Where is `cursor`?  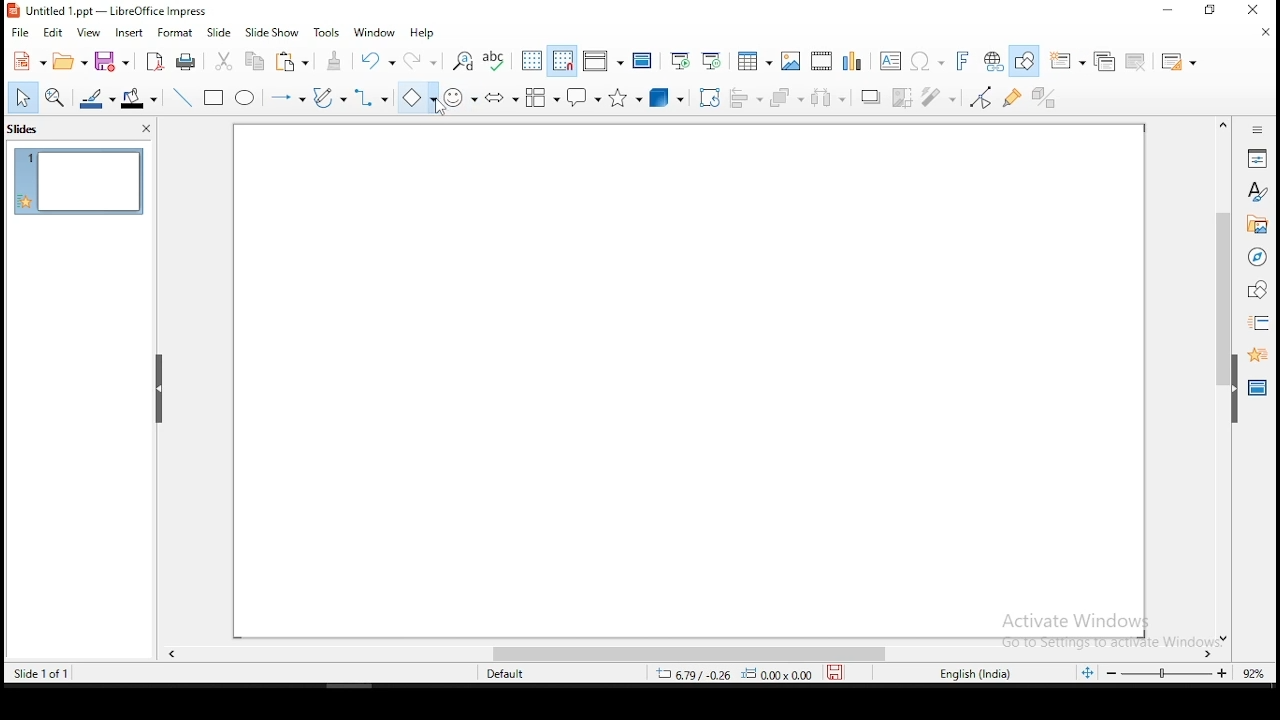 cursor is located at coordinates (437, 107).